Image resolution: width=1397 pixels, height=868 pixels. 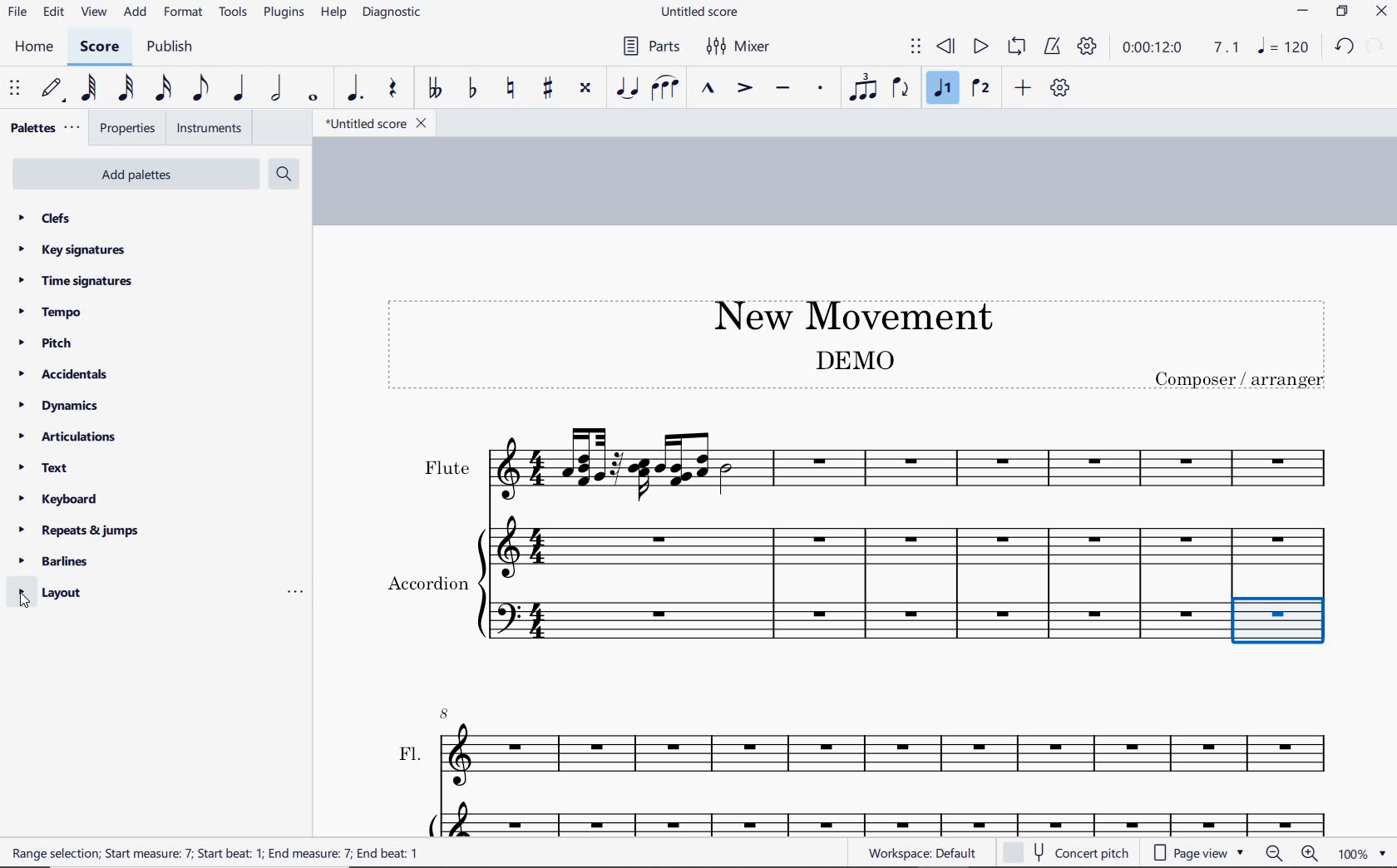 I want to click on title, so click(x=845, y=313).